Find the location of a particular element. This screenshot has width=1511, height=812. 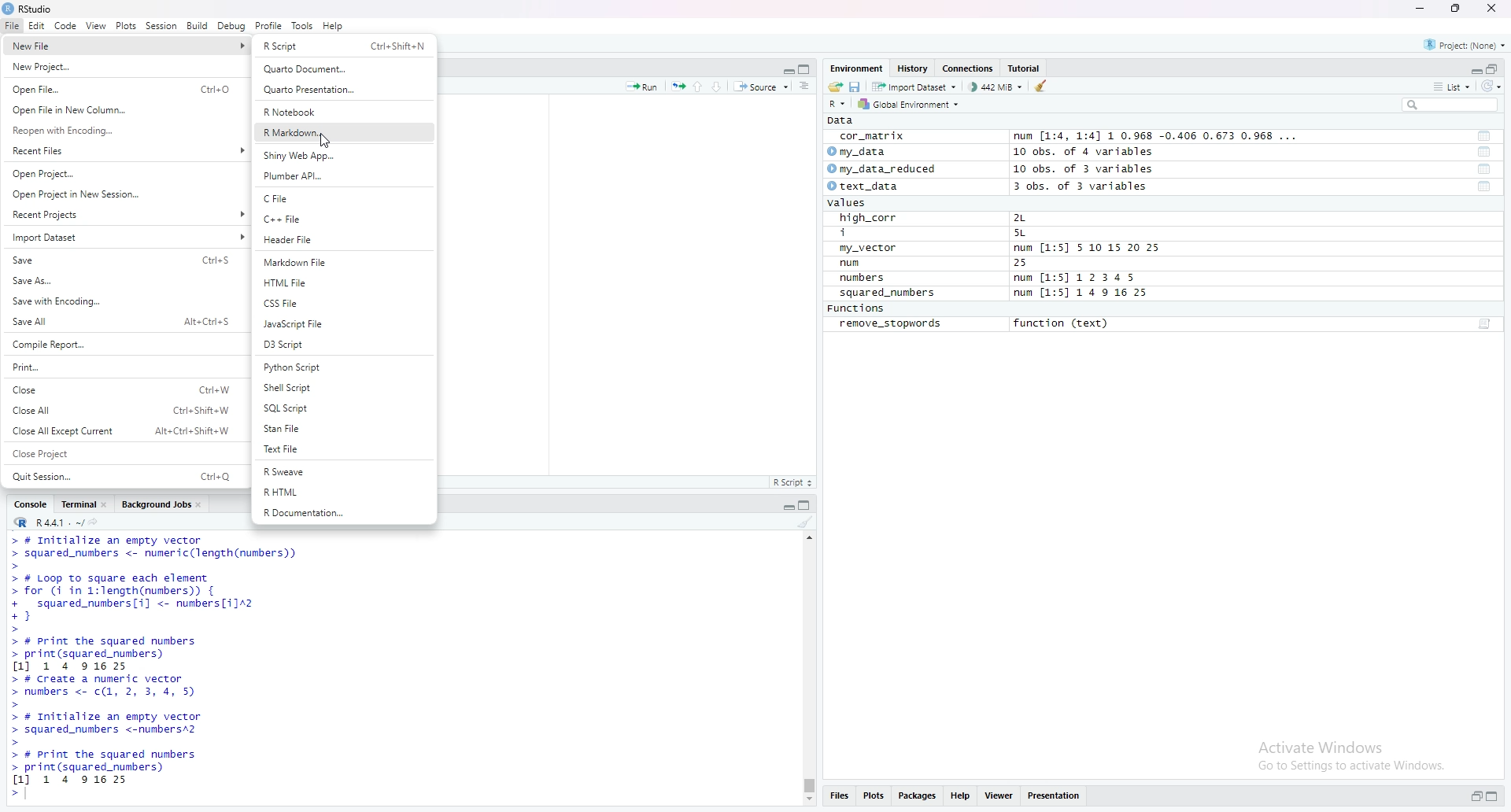

Recent Files is located at coordinates (124, 150).